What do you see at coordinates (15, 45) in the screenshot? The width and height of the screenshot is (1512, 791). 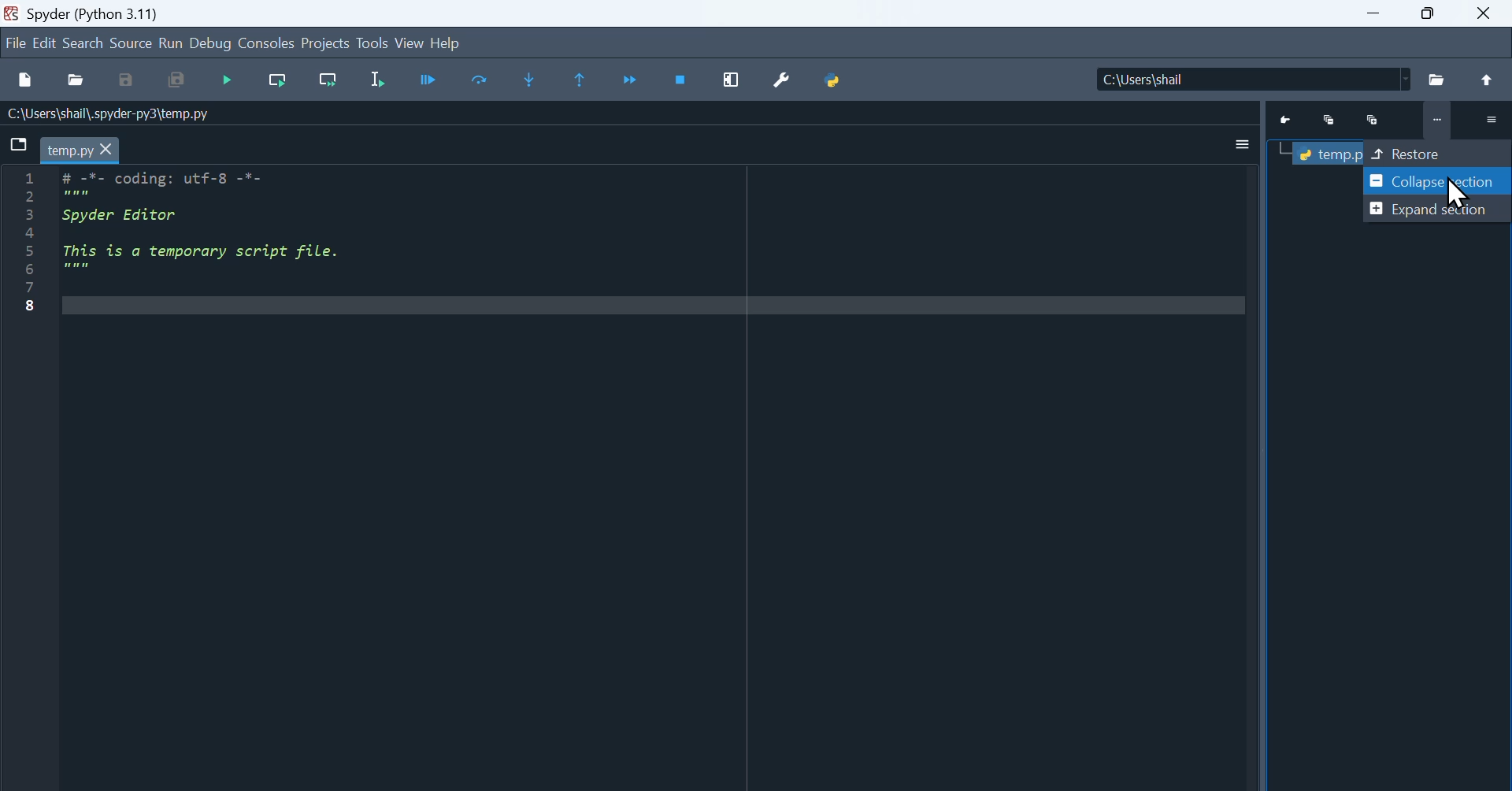 I see `file` at bounding box center [15, 45].